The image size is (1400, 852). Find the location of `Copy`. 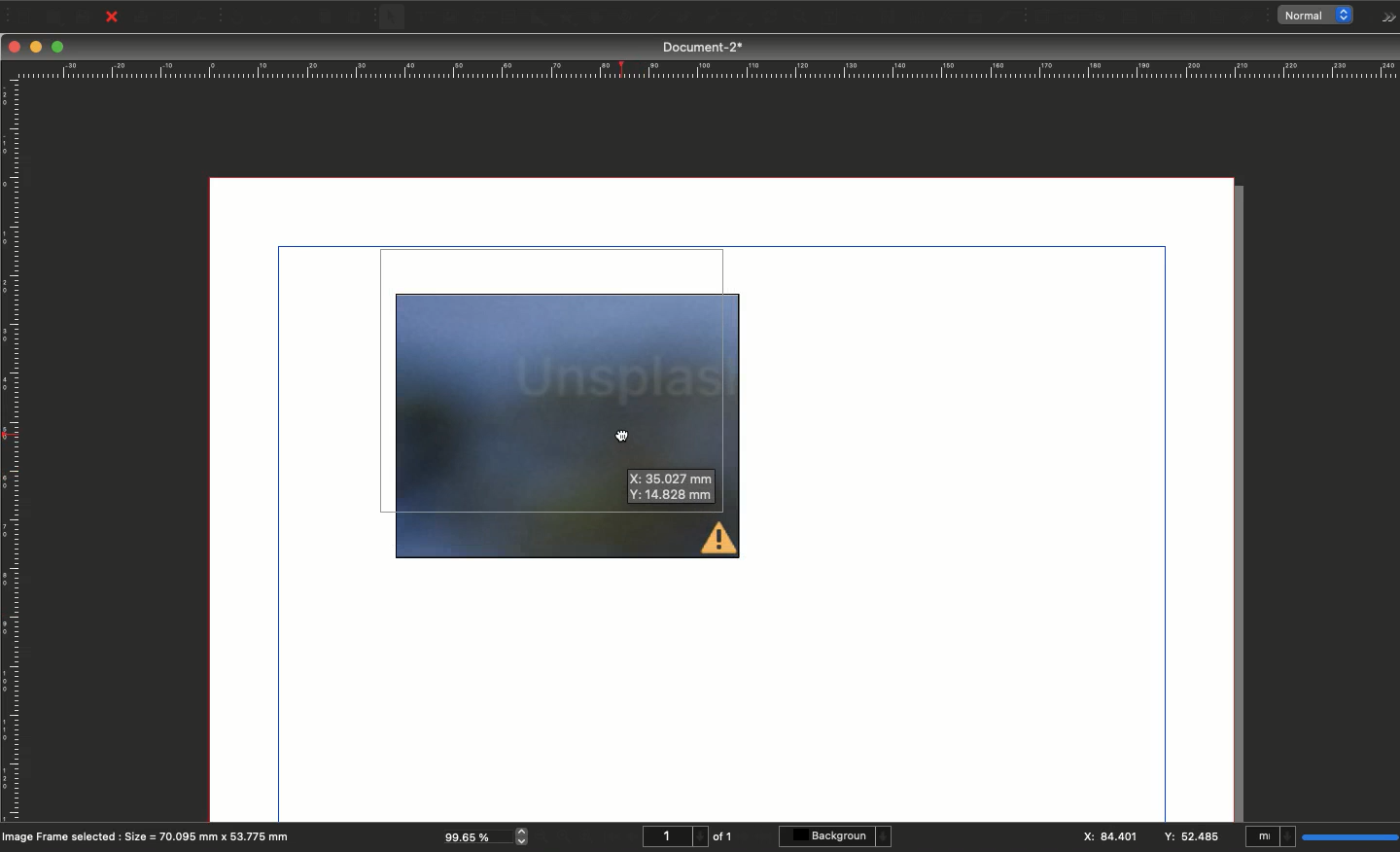

Copy is located at coordinates (327, 18).